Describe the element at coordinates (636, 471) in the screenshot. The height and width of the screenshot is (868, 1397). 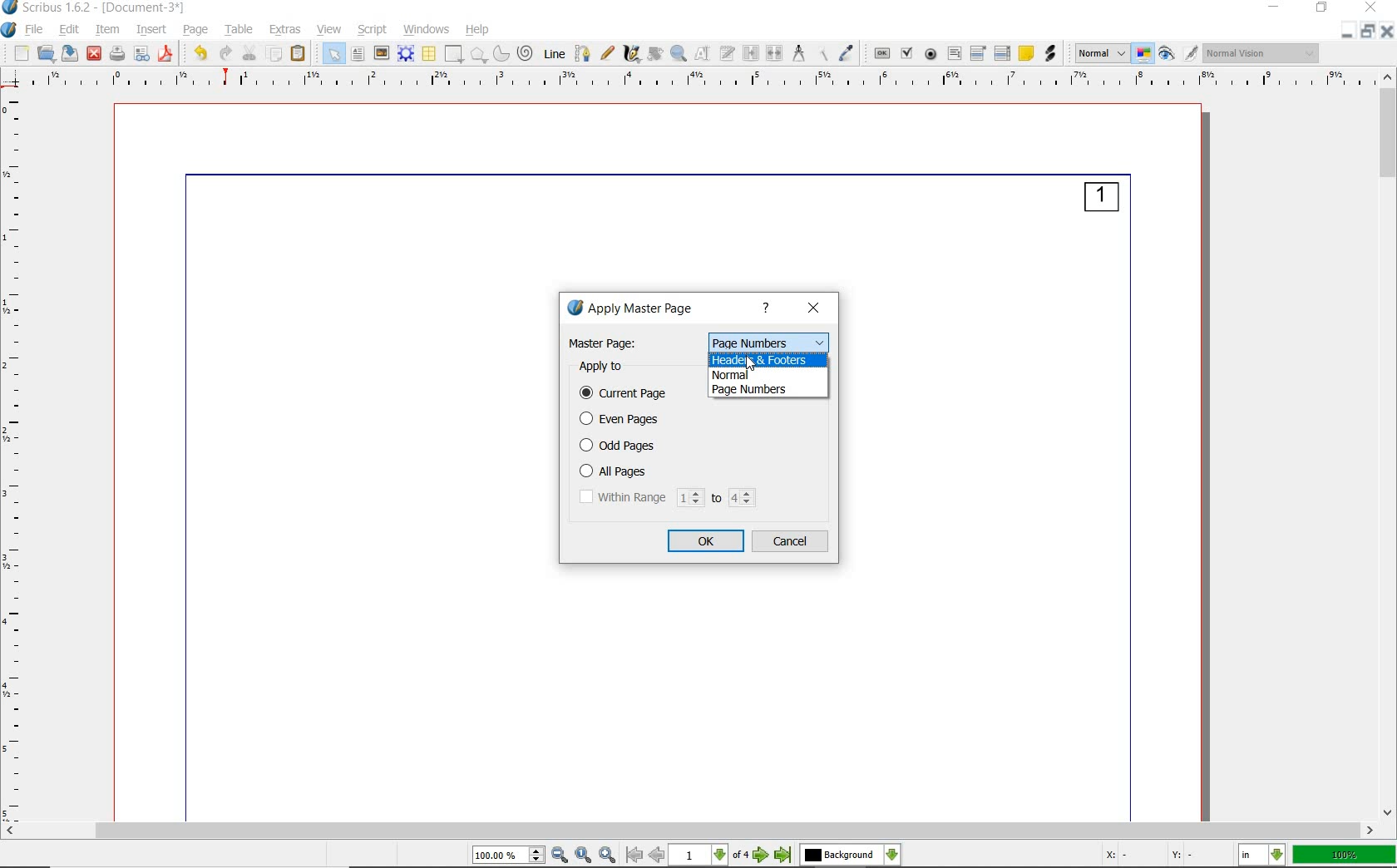
I see `all pages` at that location.